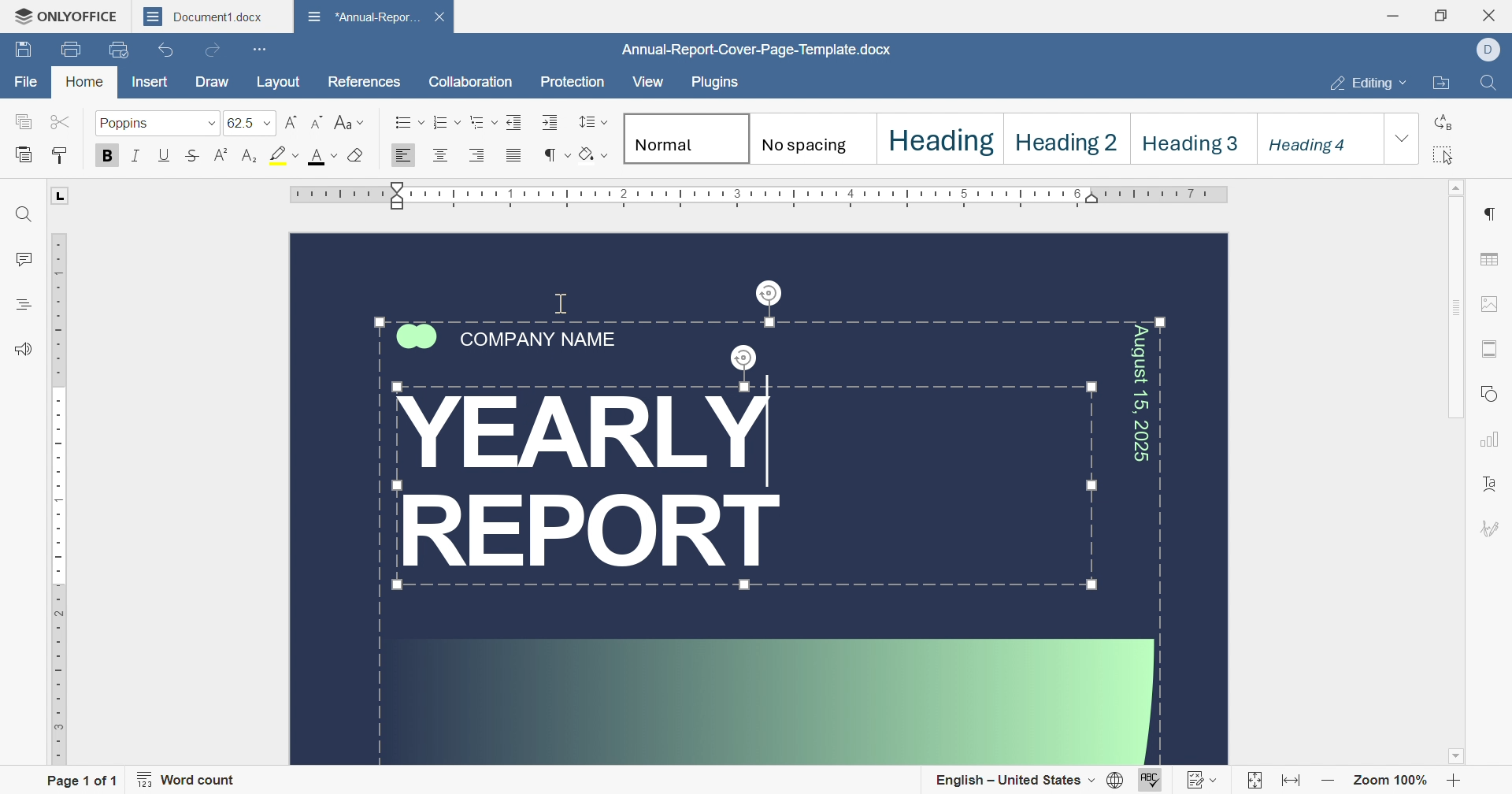 The height and width of the screenshot is (794, 1512). Describe the element at coordinates (557, 154) in the screenshot. I see `nonprinting characters` at that location.